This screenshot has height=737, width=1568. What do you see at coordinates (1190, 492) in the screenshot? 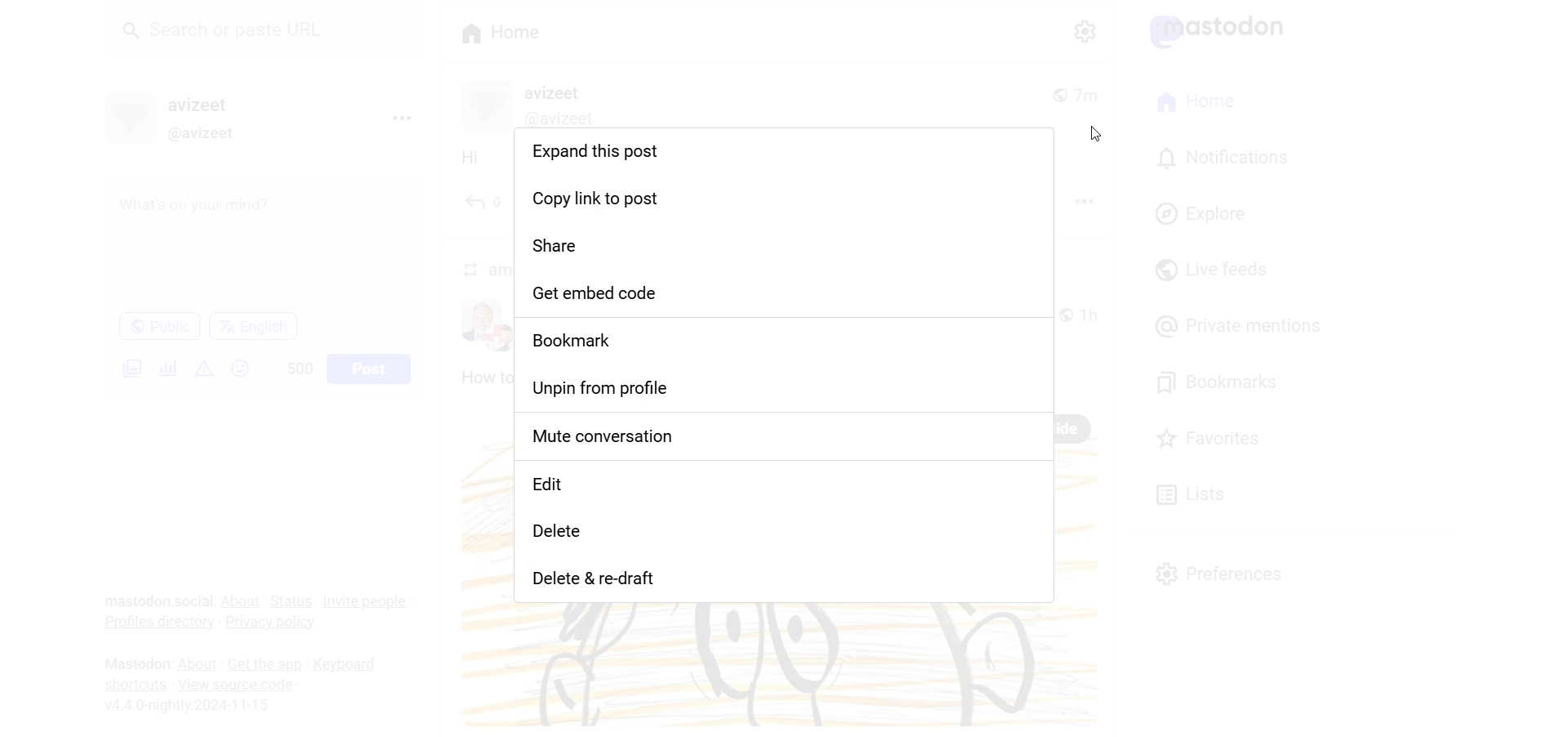
I see `Lists` at bounding box center [1190, 492].